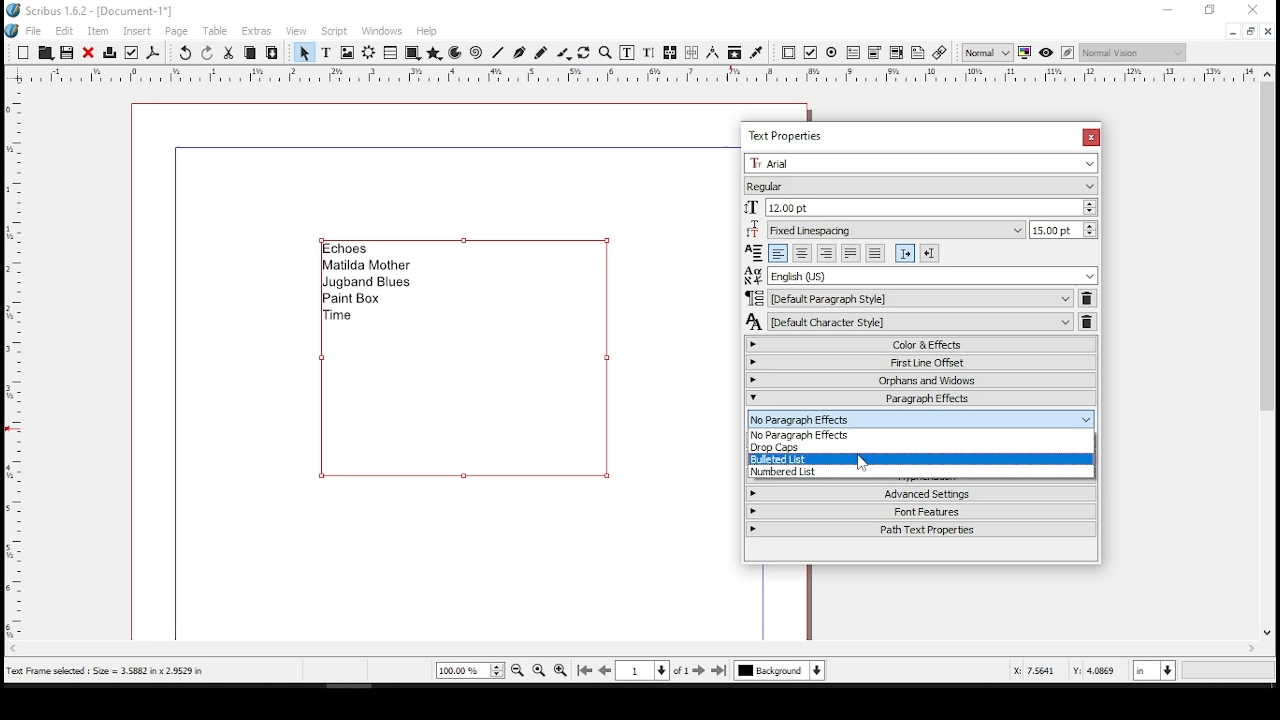  What do you see at coordinates (111, 671) in the screenshot?
I see `text frame selected: size = 3.5882 x 2.9529 in` at bounding box center [111, 671].